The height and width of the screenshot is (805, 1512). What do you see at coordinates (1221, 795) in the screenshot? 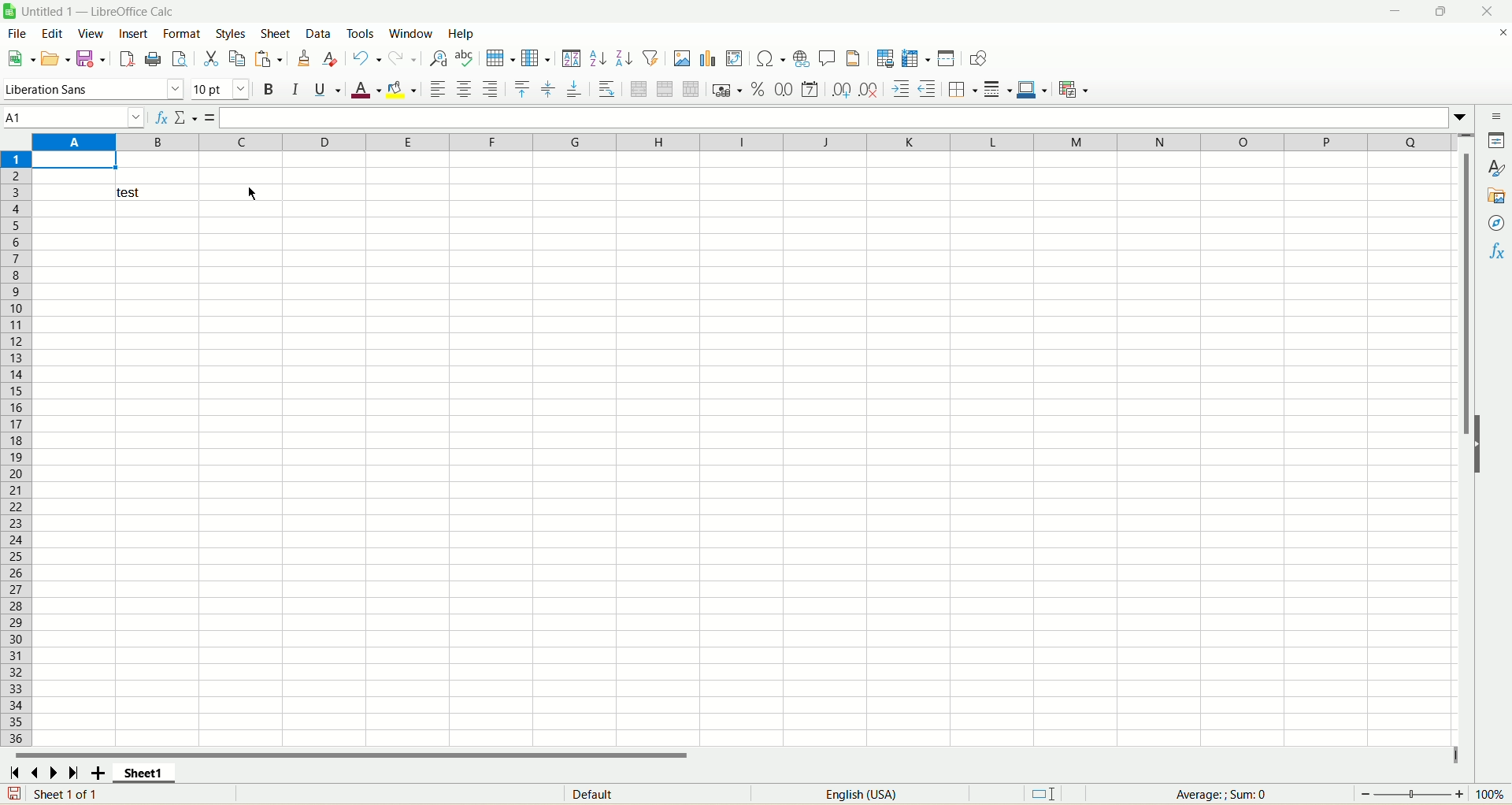
I see `Average: ; Sum: 0` at bounding box center [1221, 795].